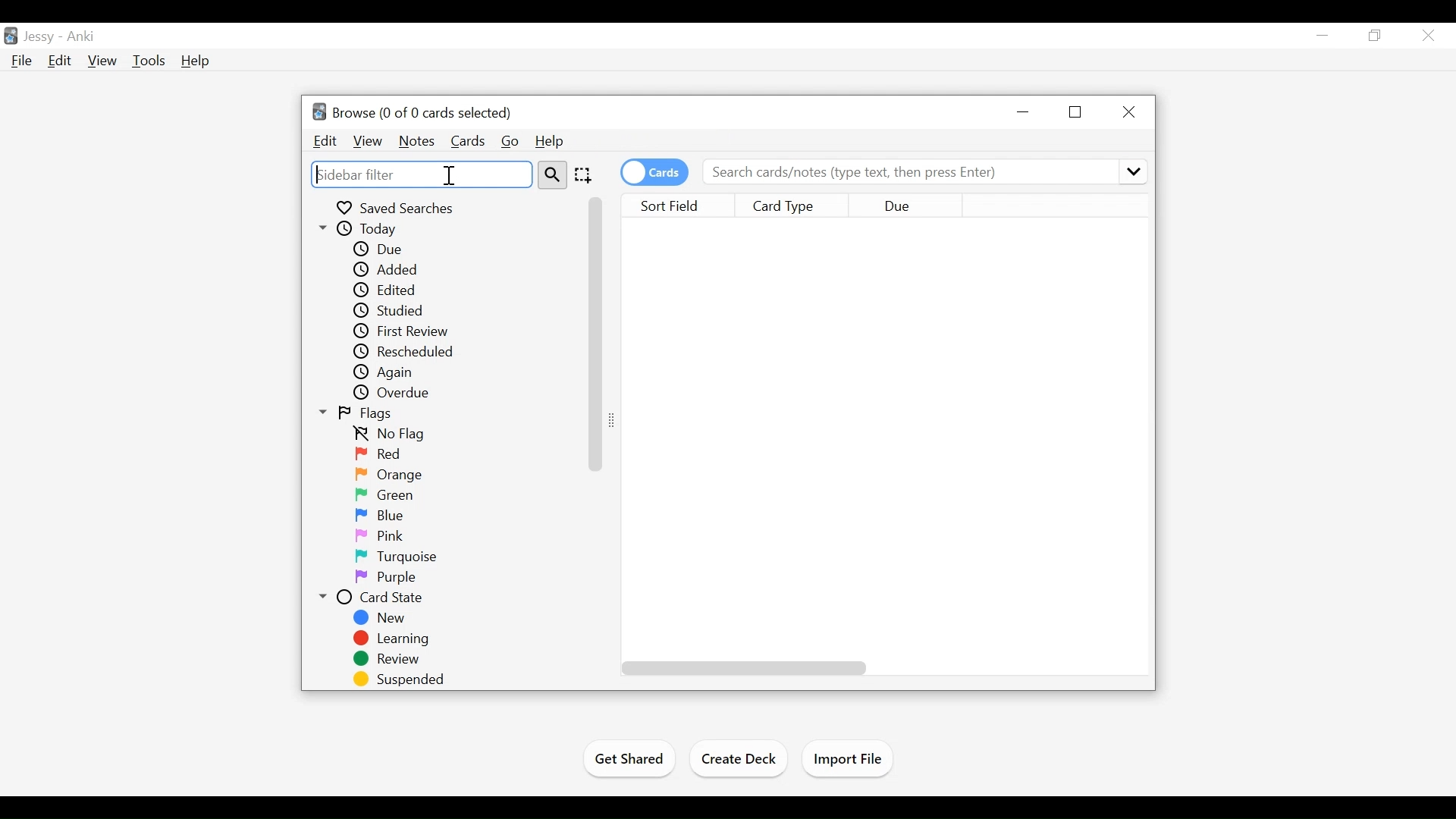 This screenshot has width=1456, height=819. I want to click on Cards, so click(468, 140).